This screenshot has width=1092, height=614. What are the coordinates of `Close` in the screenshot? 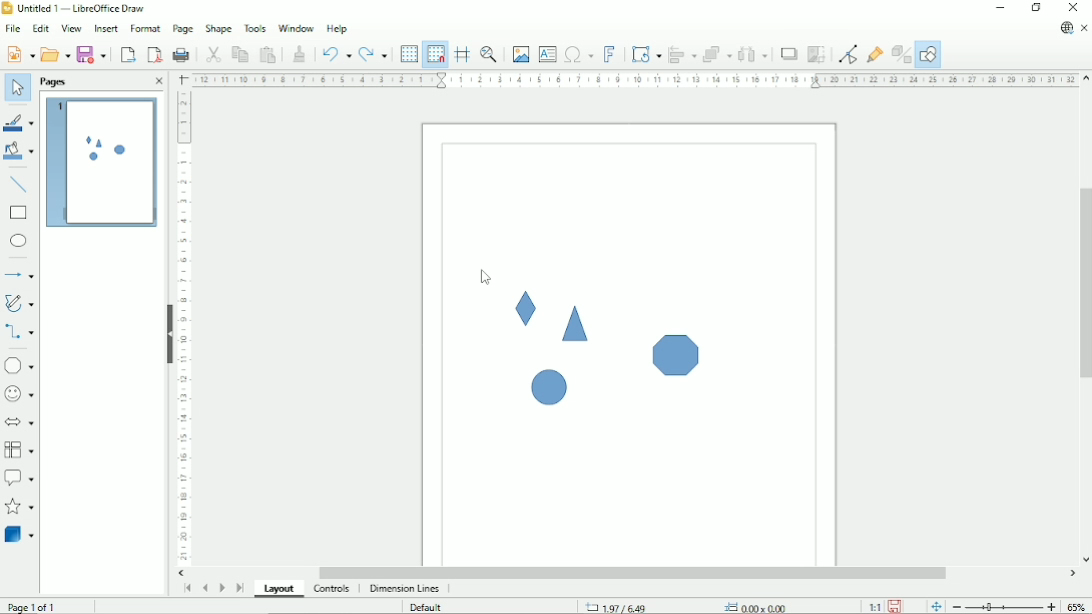 It's located at (1076, 8).